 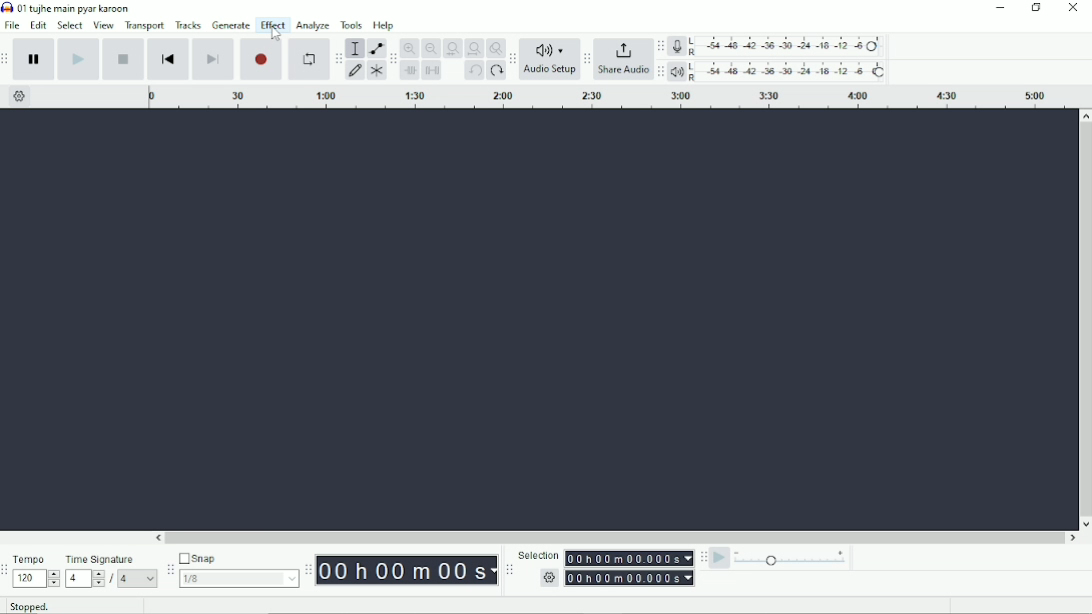 I want to click on Draw tool, so click(x=354, y=71).